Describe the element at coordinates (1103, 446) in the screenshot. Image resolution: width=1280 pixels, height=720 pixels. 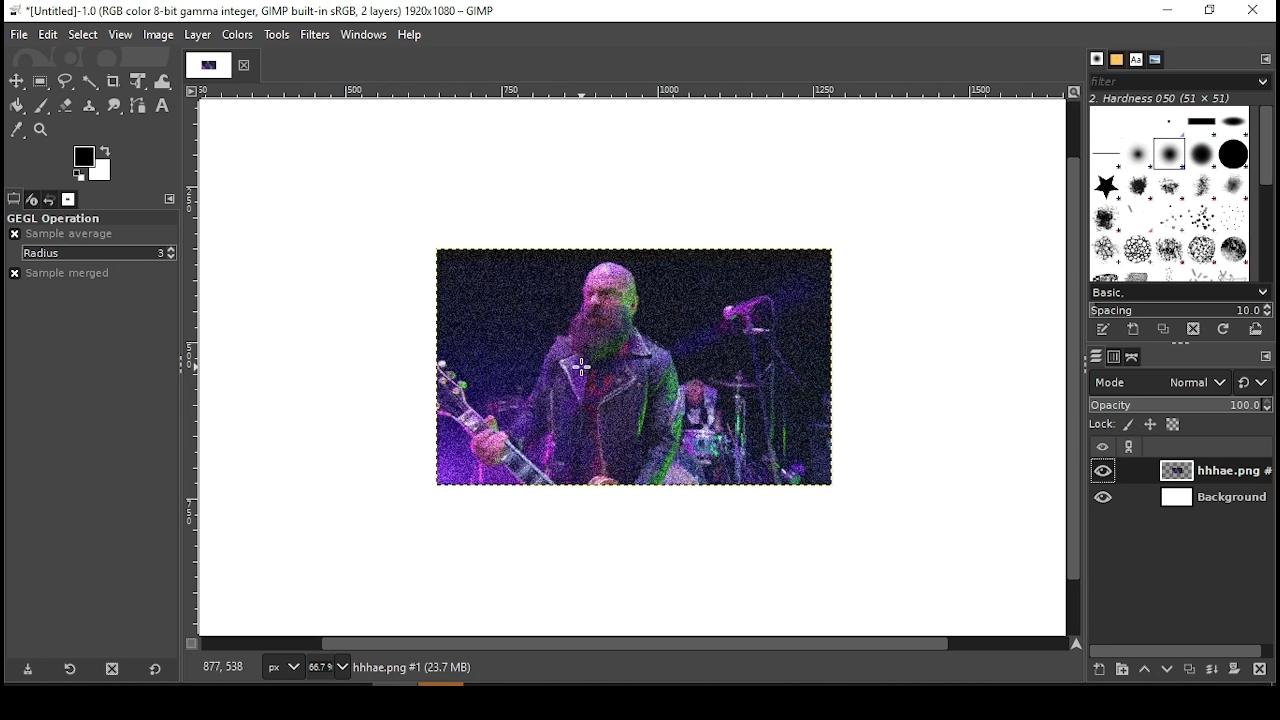
I see `layer visibility` at that location.